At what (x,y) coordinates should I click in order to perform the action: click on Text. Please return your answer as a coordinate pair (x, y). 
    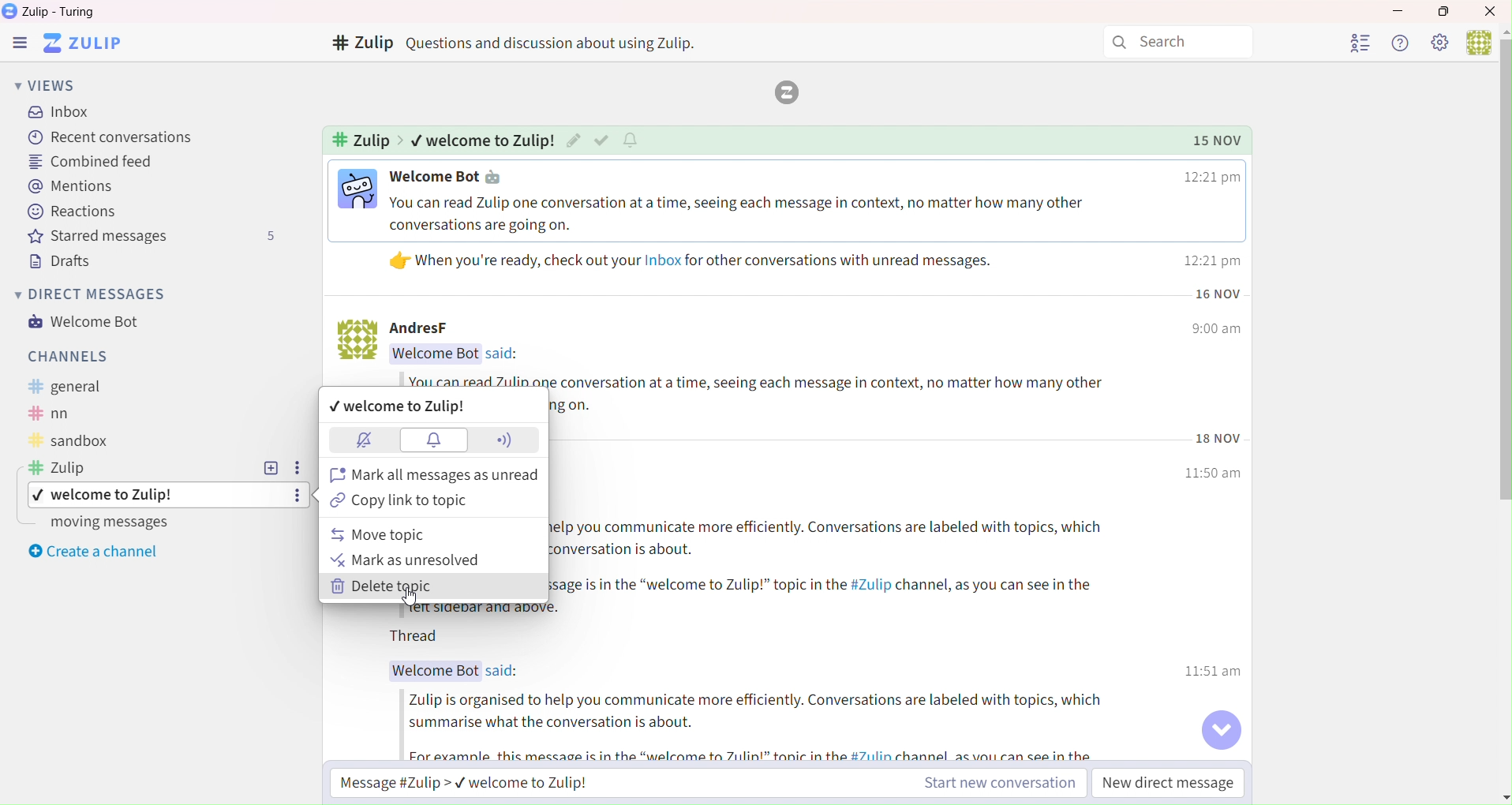
    Looking at the image, I should click on (485, 140).